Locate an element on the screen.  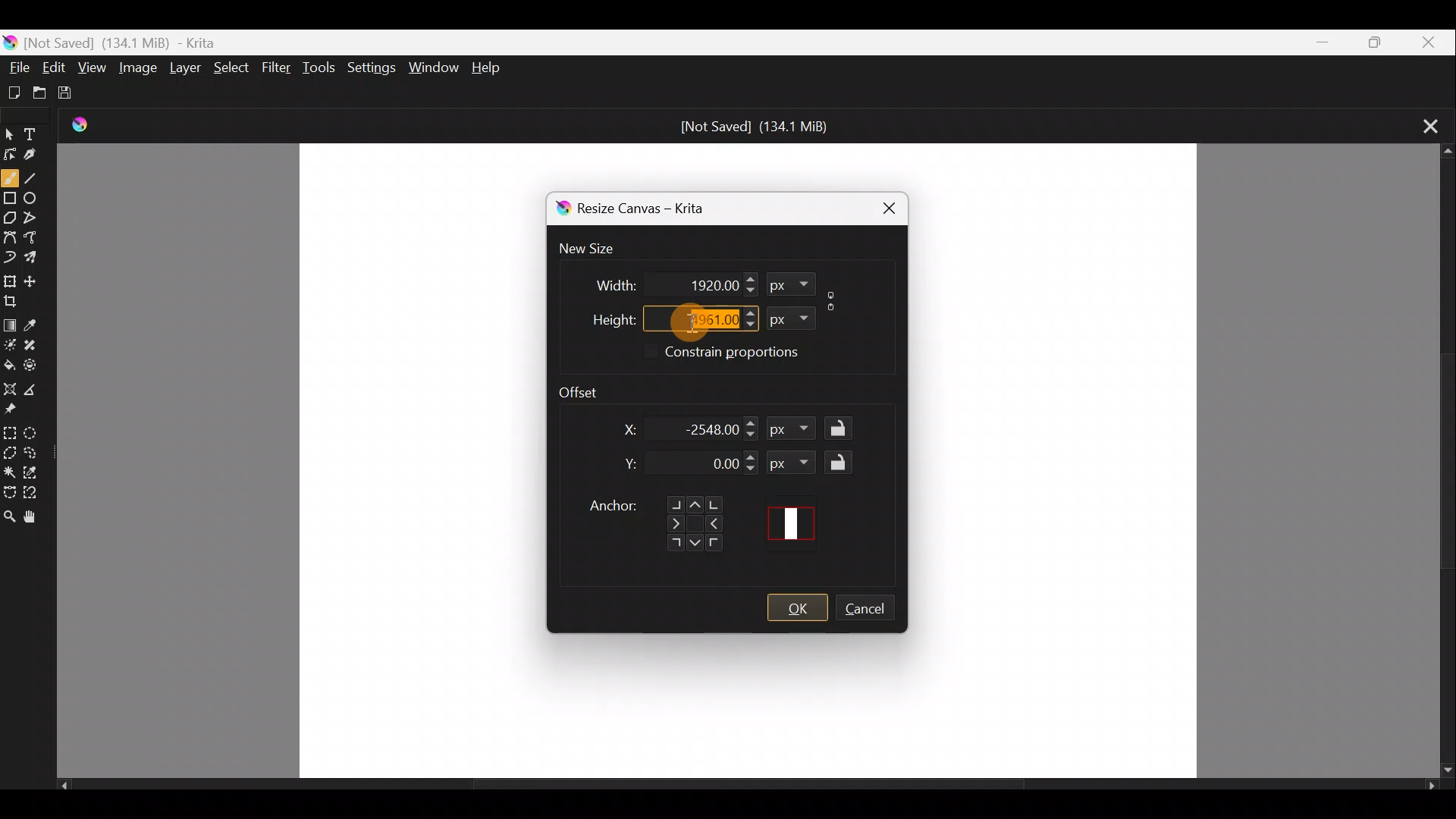
Close tab is located at coordinates (1424, 124).